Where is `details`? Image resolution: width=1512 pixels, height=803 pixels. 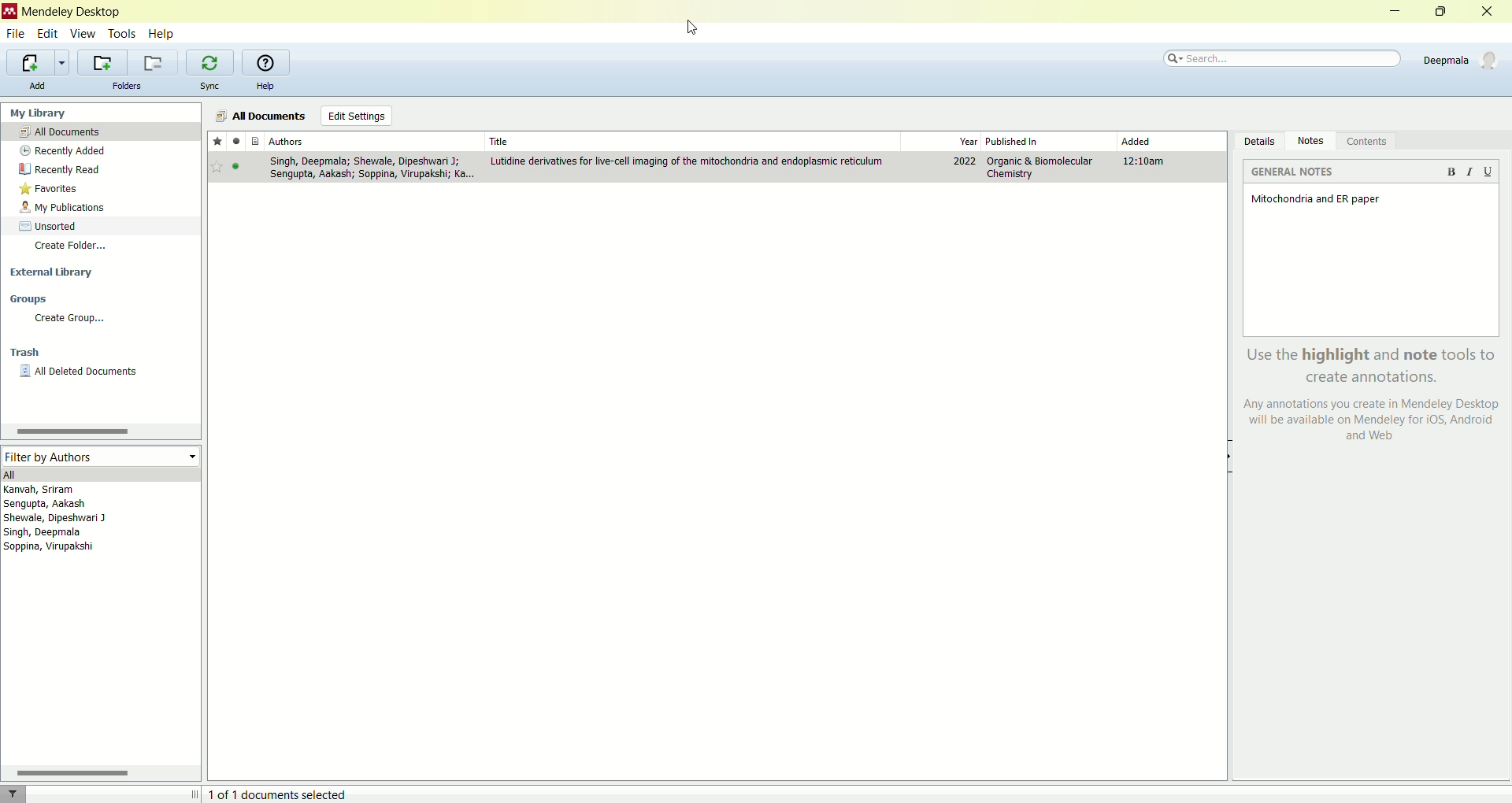
details is located at coordinates (1256, 140).